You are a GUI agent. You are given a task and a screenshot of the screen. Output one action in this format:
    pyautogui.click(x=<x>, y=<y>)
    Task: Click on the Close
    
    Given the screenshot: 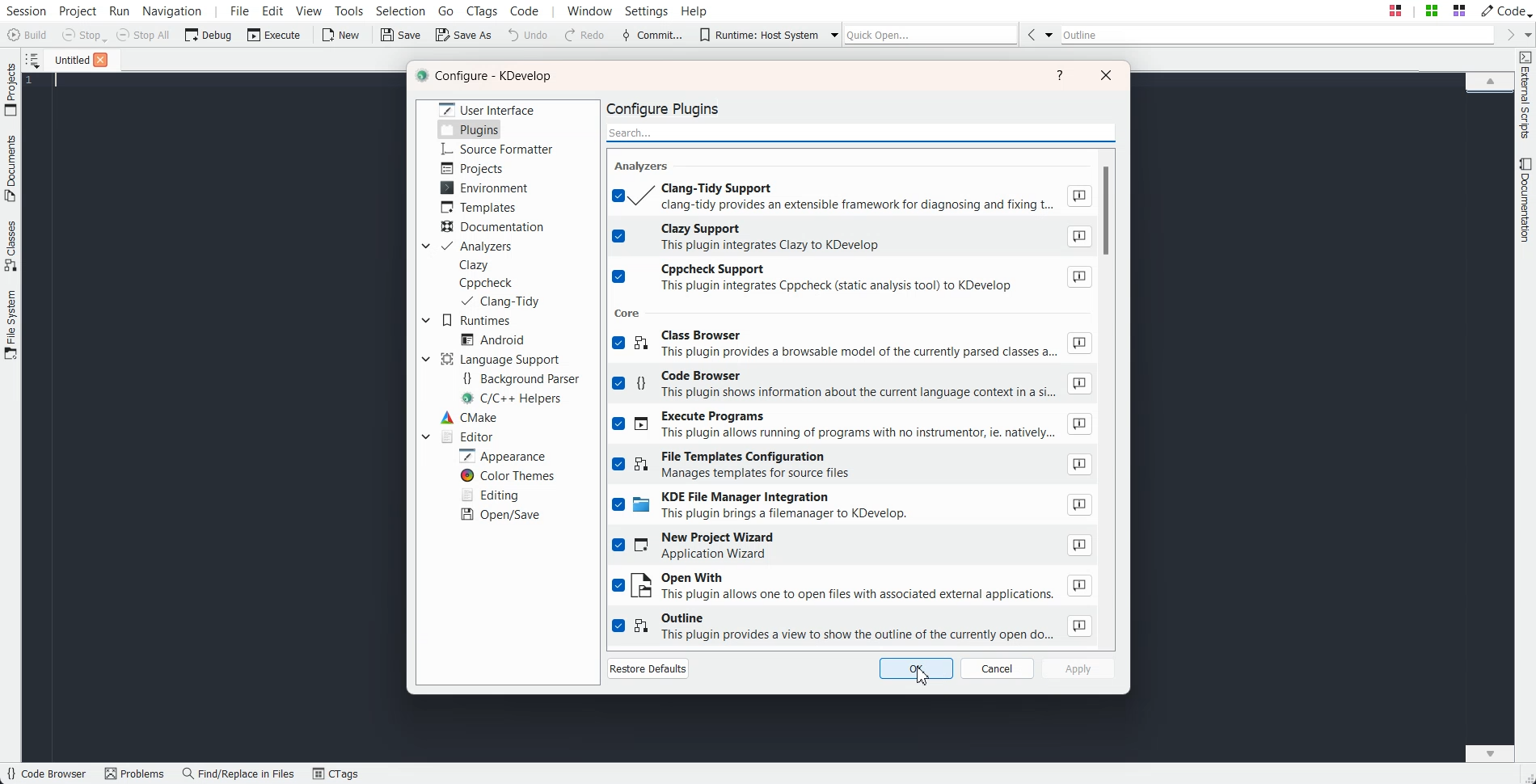 What is the action you would take?
    pyautogui.click(x=1106, y=74)
    